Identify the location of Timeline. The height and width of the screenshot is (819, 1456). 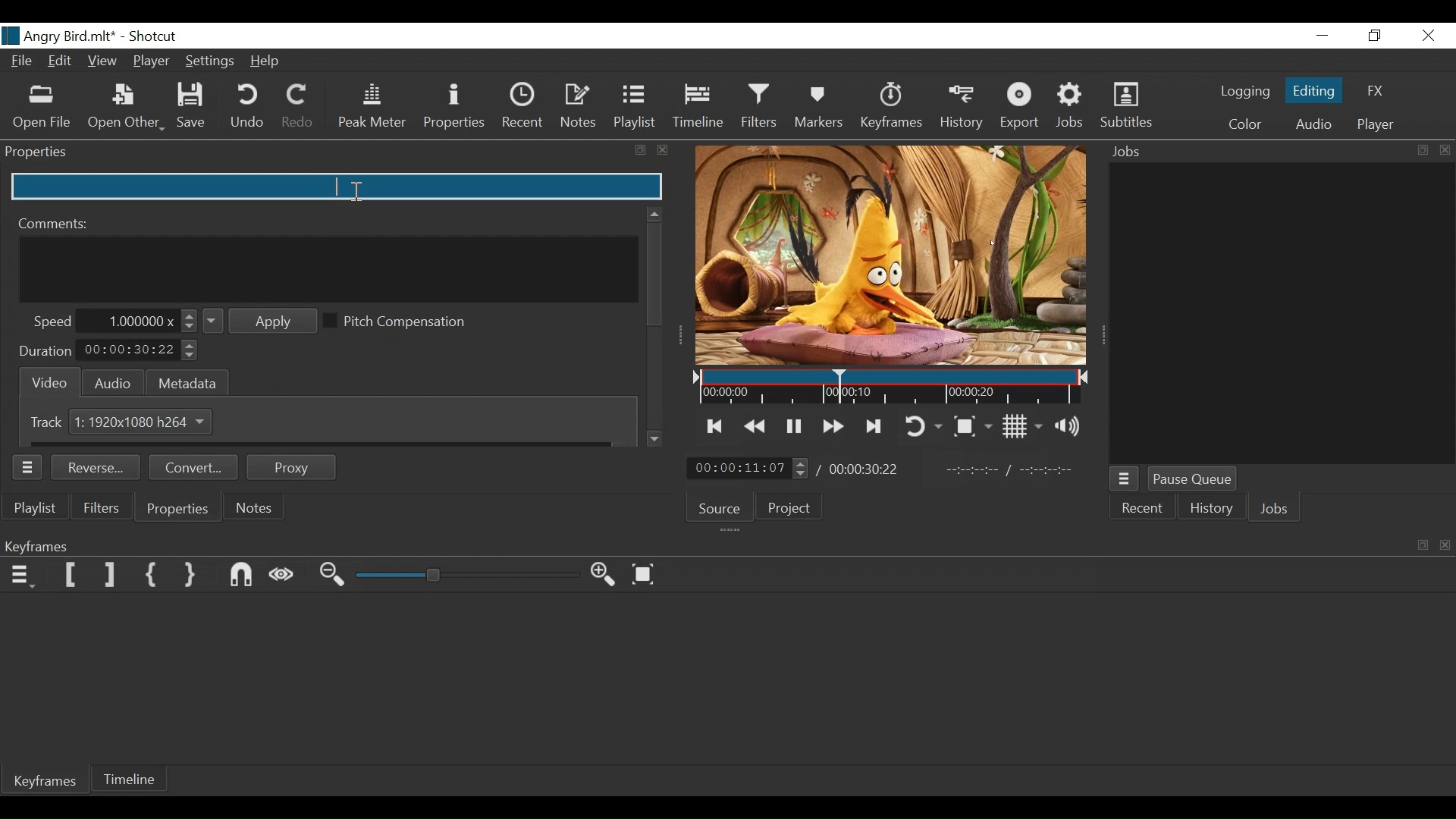
(131, 781).